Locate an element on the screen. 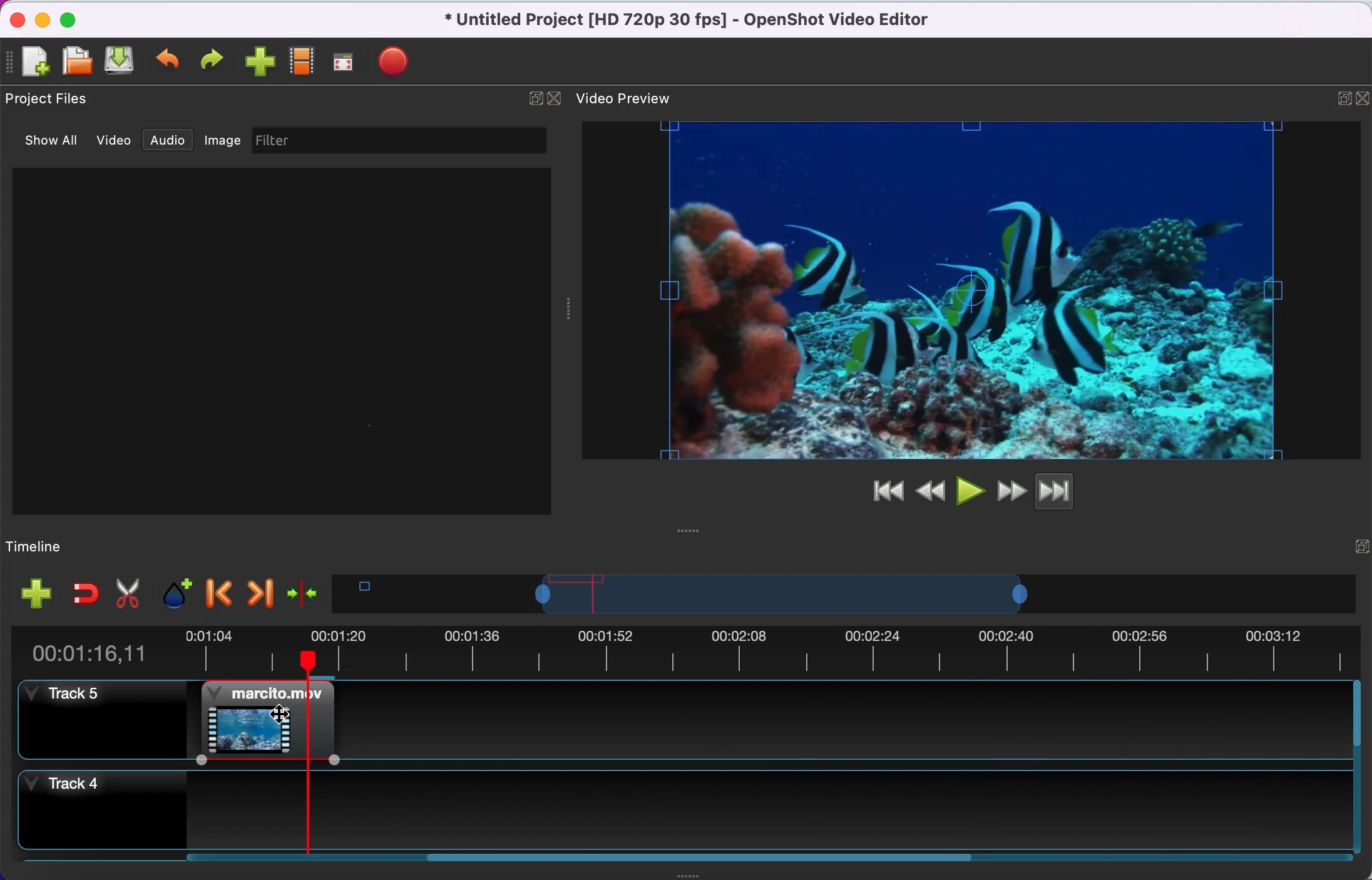 This screenshot has width=1372, height=880. choose profile is located at coordinates (301, 62).